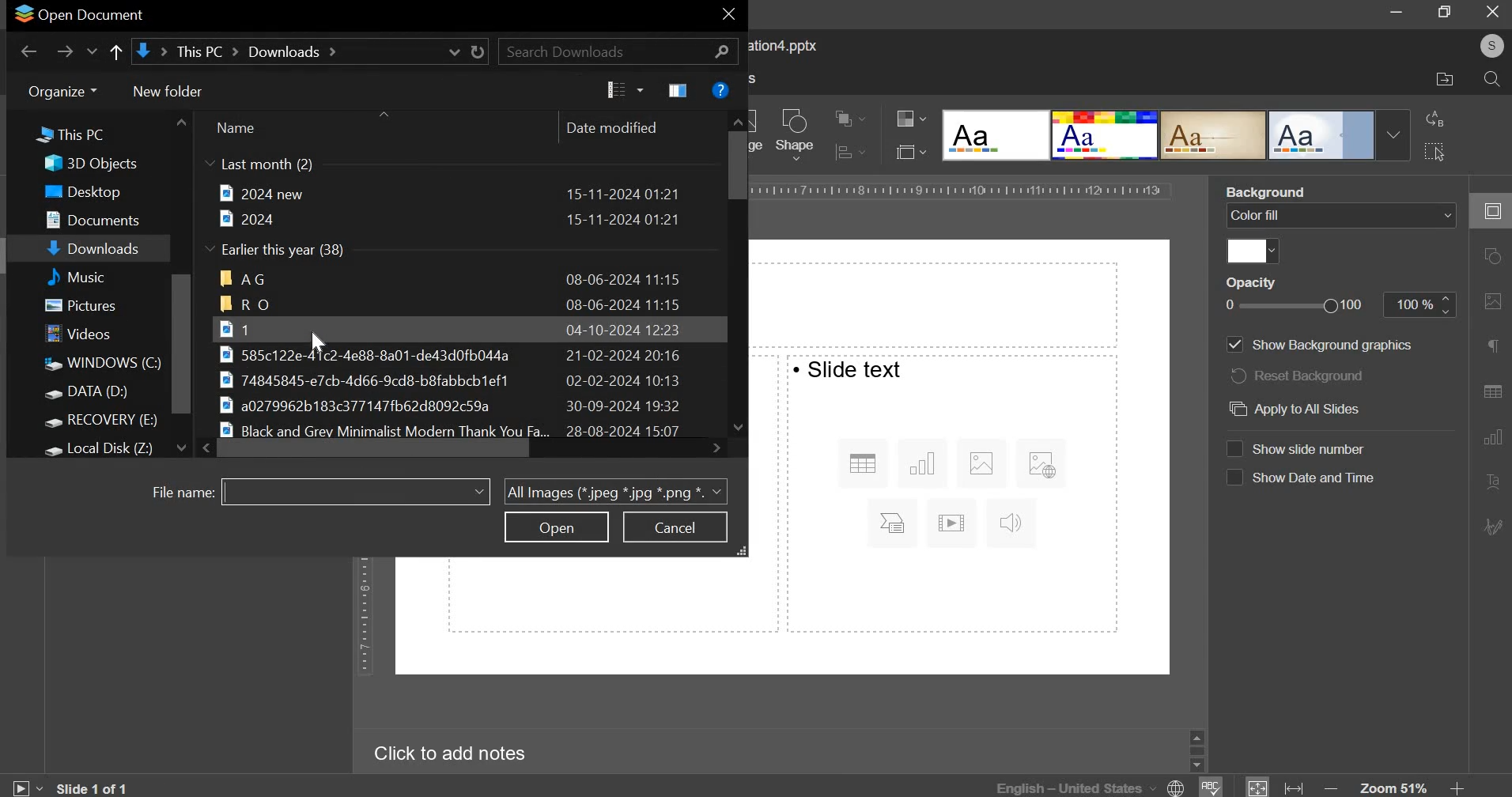 The width and height of the screenshot is (1512, 797). Describe the element at coordinates (954, 527) in the screenshot. I see `right side segment` at that location.